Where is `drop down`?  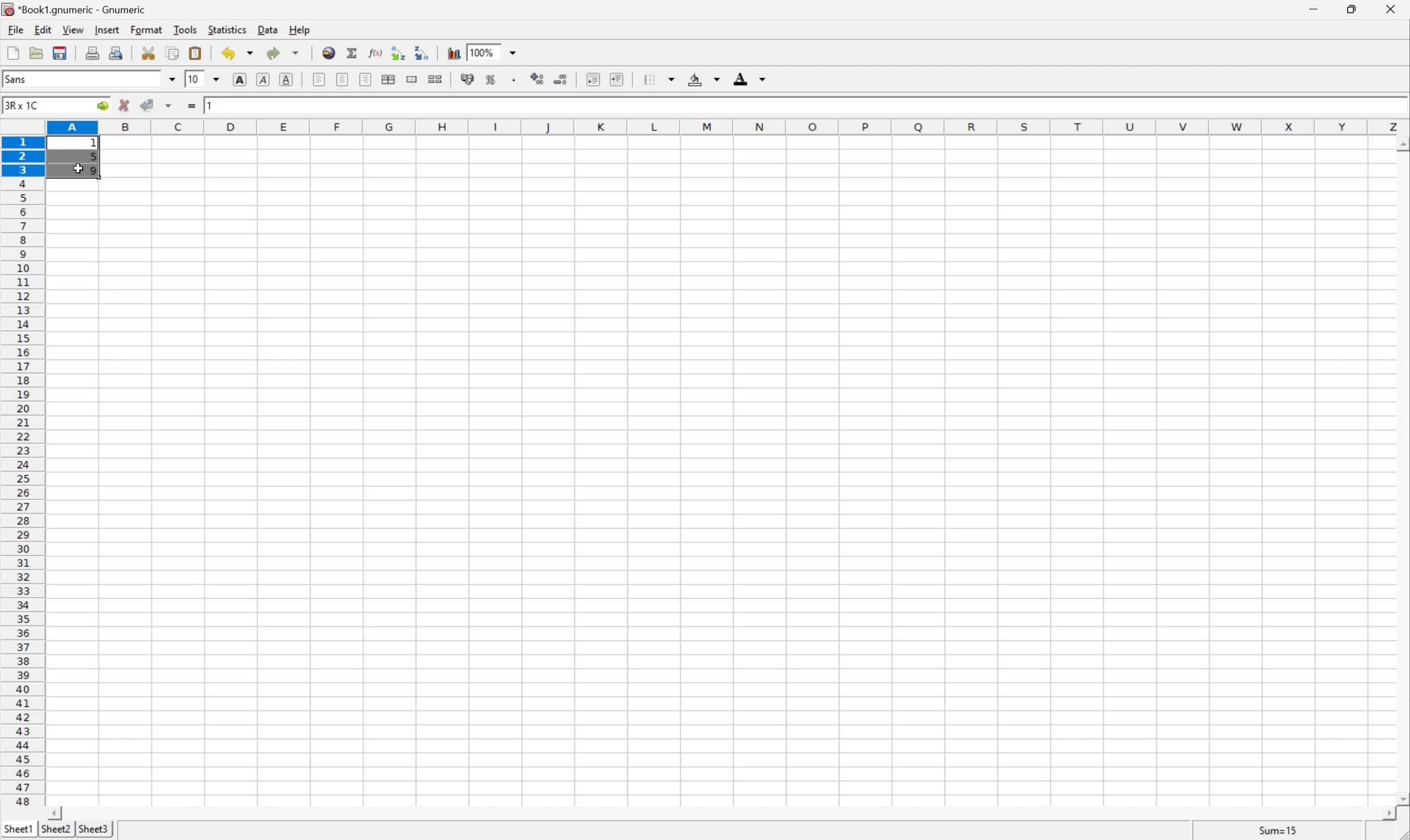
drop down is located at coordinates (173, 79).